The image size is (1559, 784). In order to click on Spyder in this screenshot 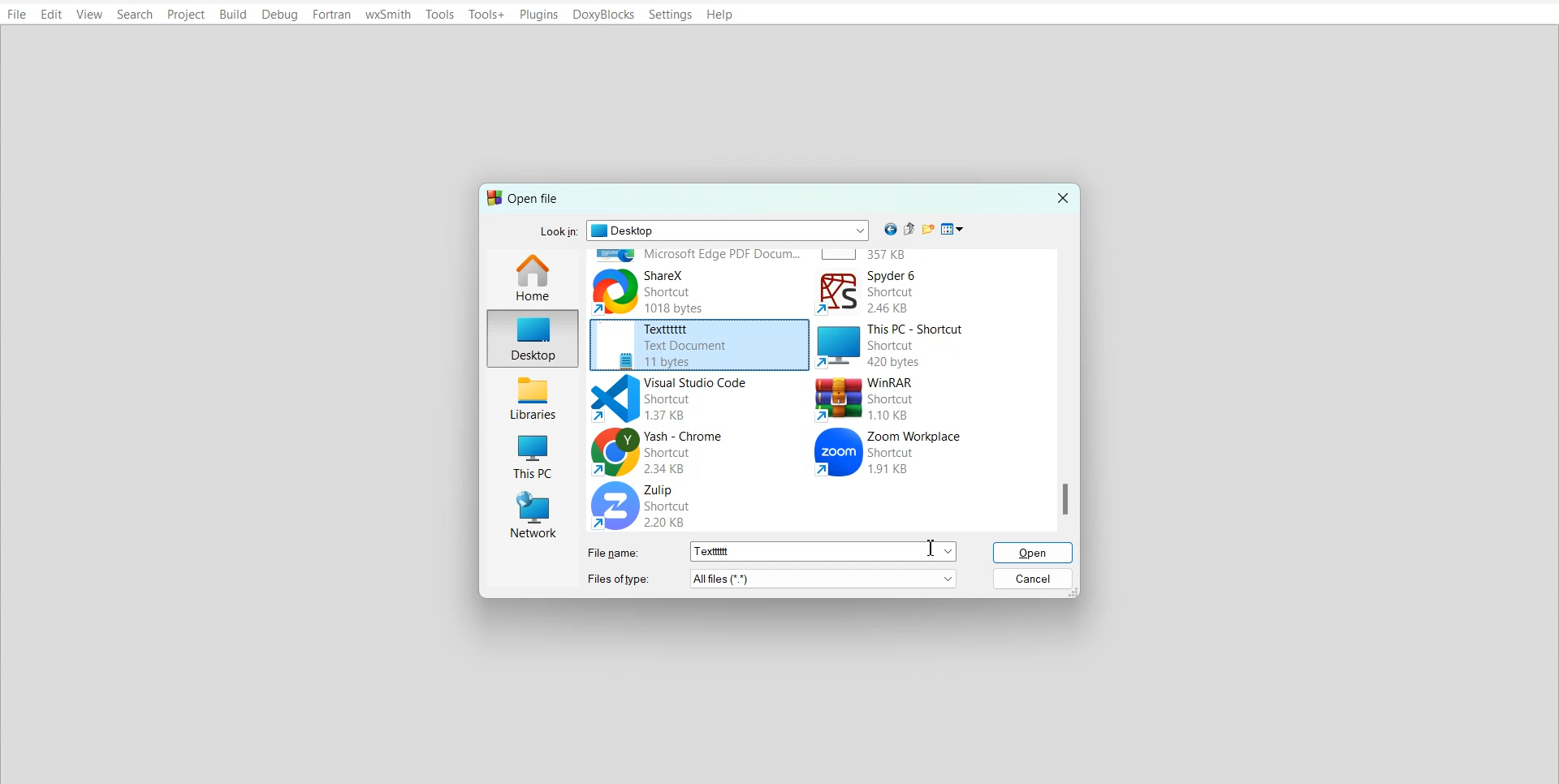, I will do `click(908, 292)`.